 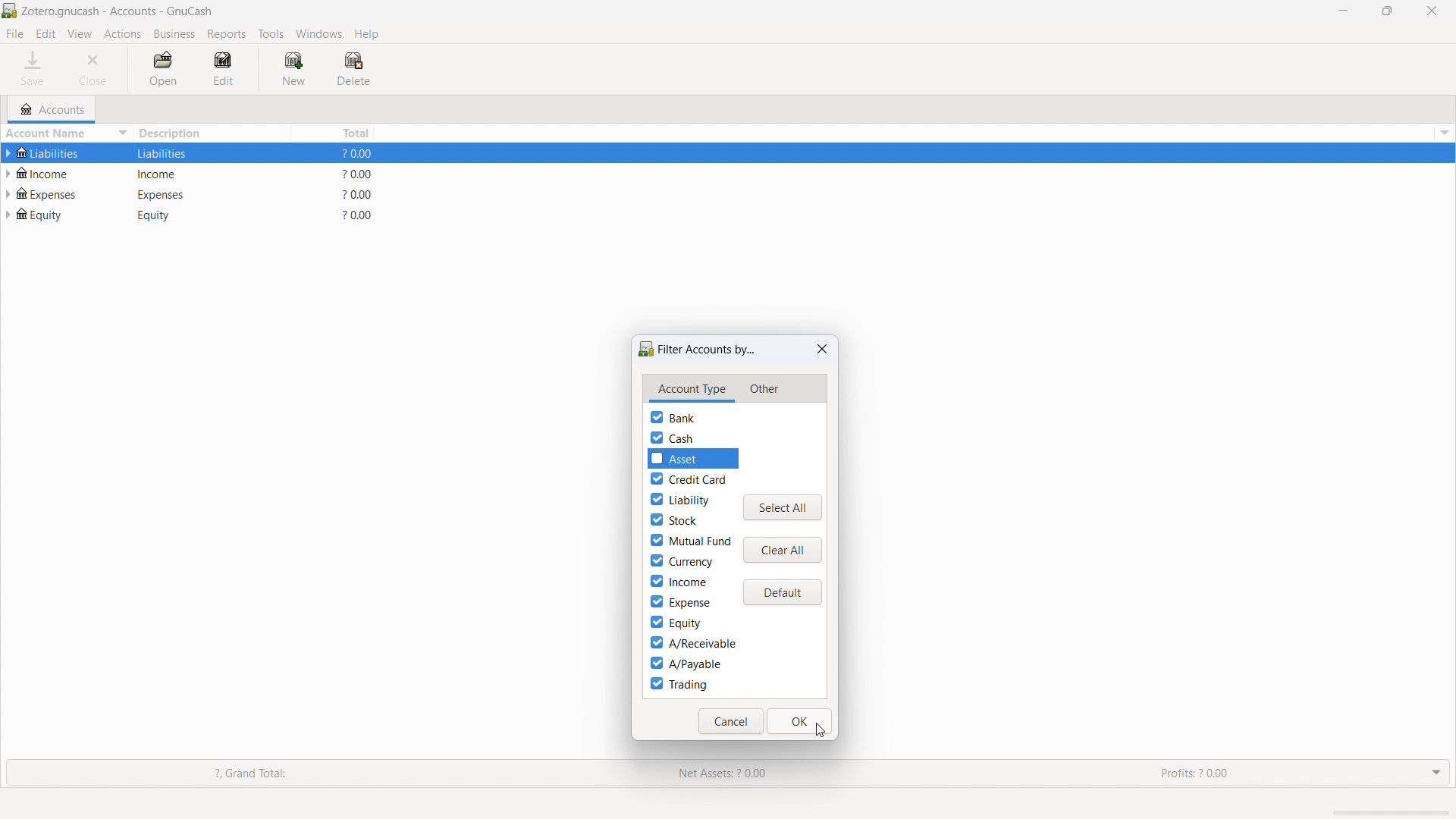 I want to click on close, so click(x=96, y=69).